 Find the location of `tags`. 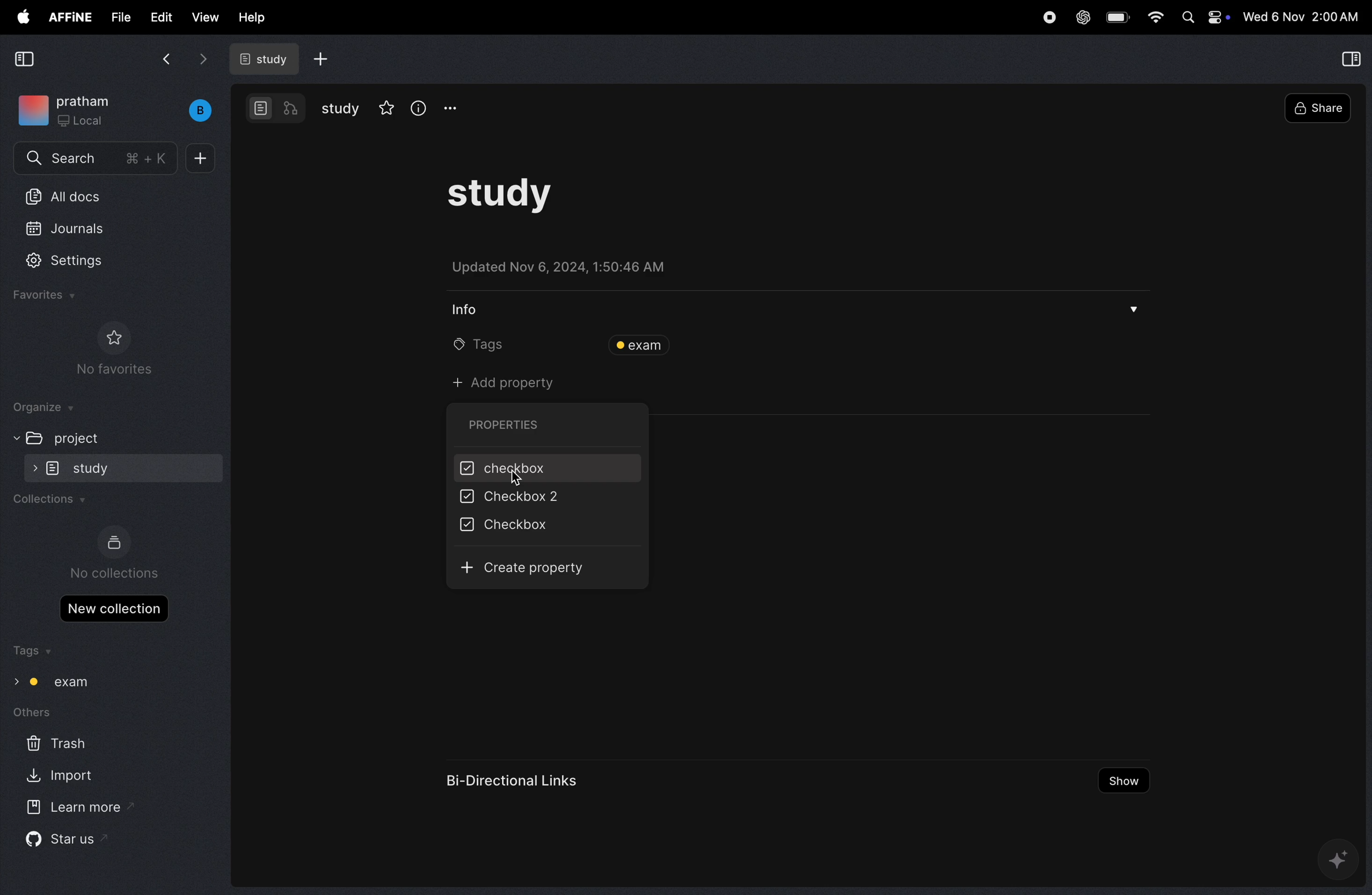

tags is located at coordinates (35, 653).